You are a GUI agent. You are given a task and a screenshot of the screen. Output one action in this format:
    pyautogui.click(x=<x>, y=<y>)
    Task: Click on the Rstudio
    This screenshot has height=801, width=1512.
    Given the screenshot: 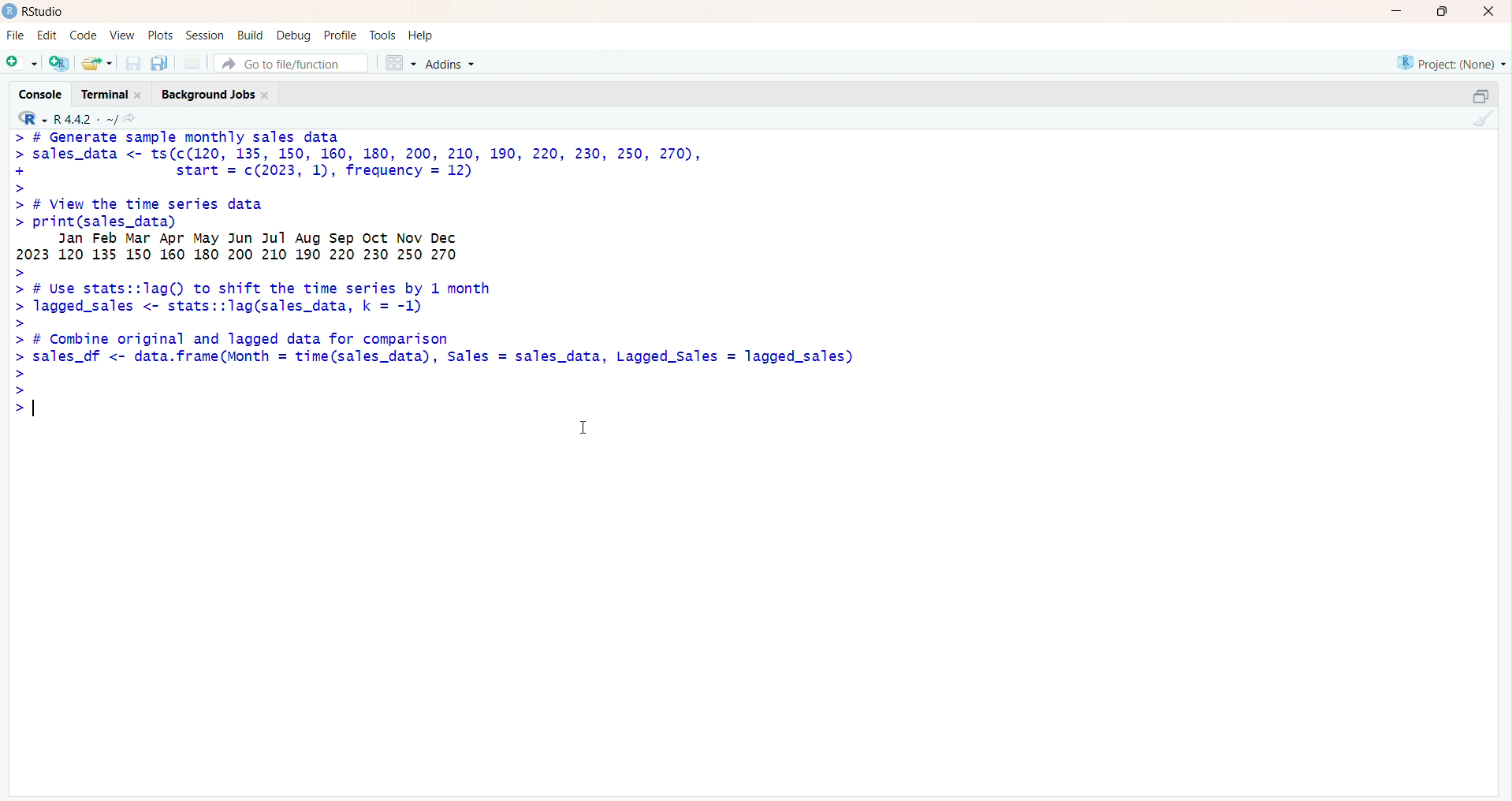 What is the action you would take?
    pyautogui.click(x=35, y=12)
    